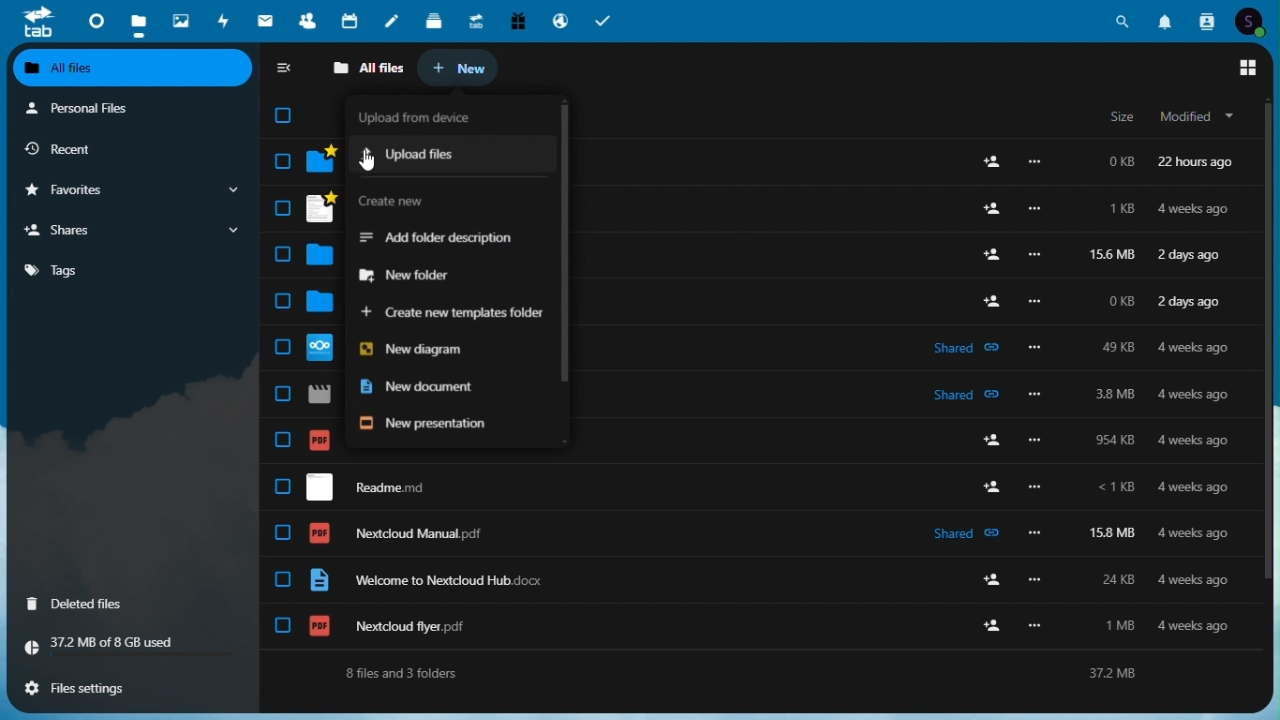 The image size is (1280, 720). Describe the element at coordinates (1191, 258) in the screenshot. I see `2 days ago` at that location.